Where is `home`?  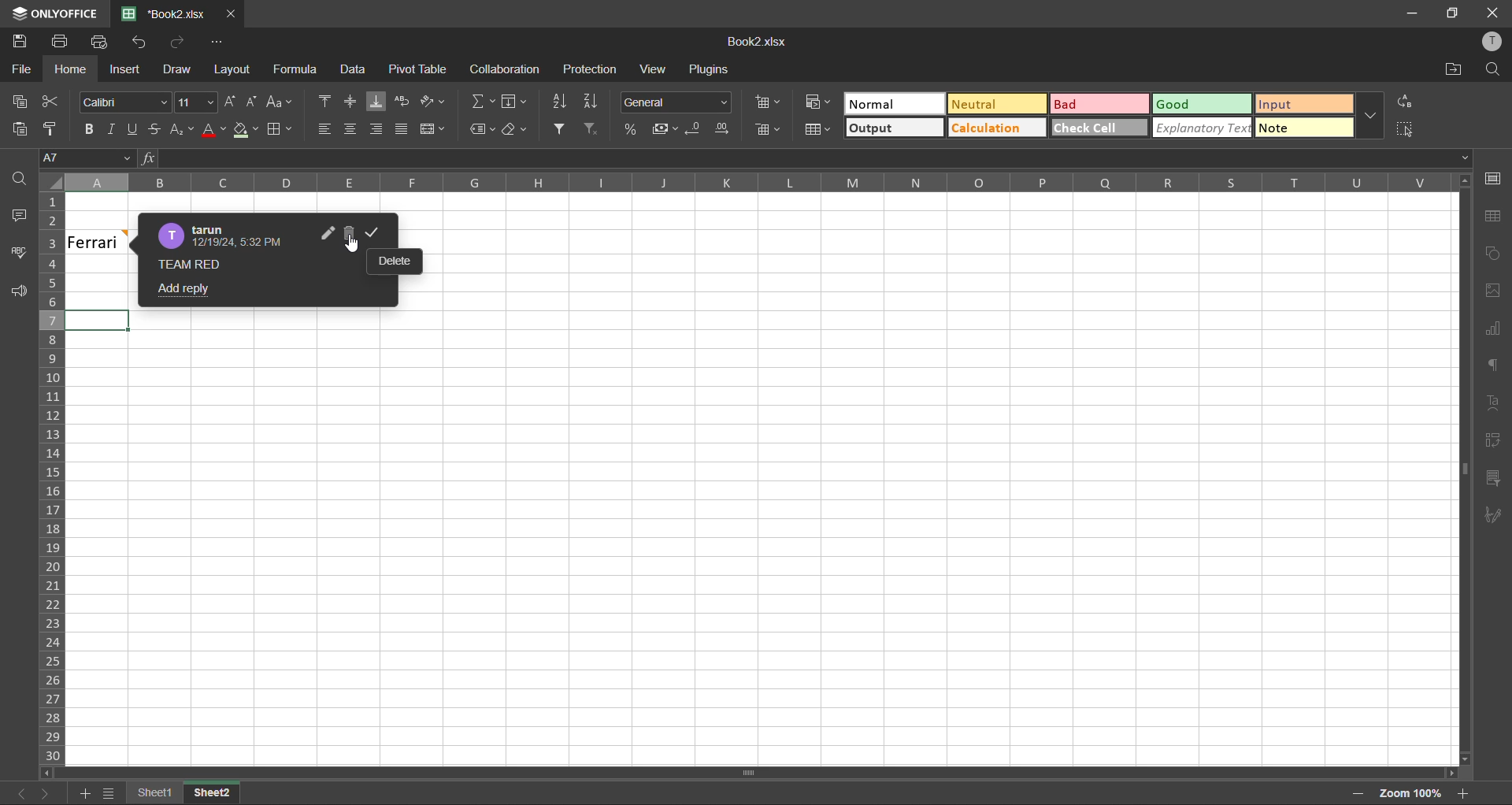 home is located at coordinates (72, 71).